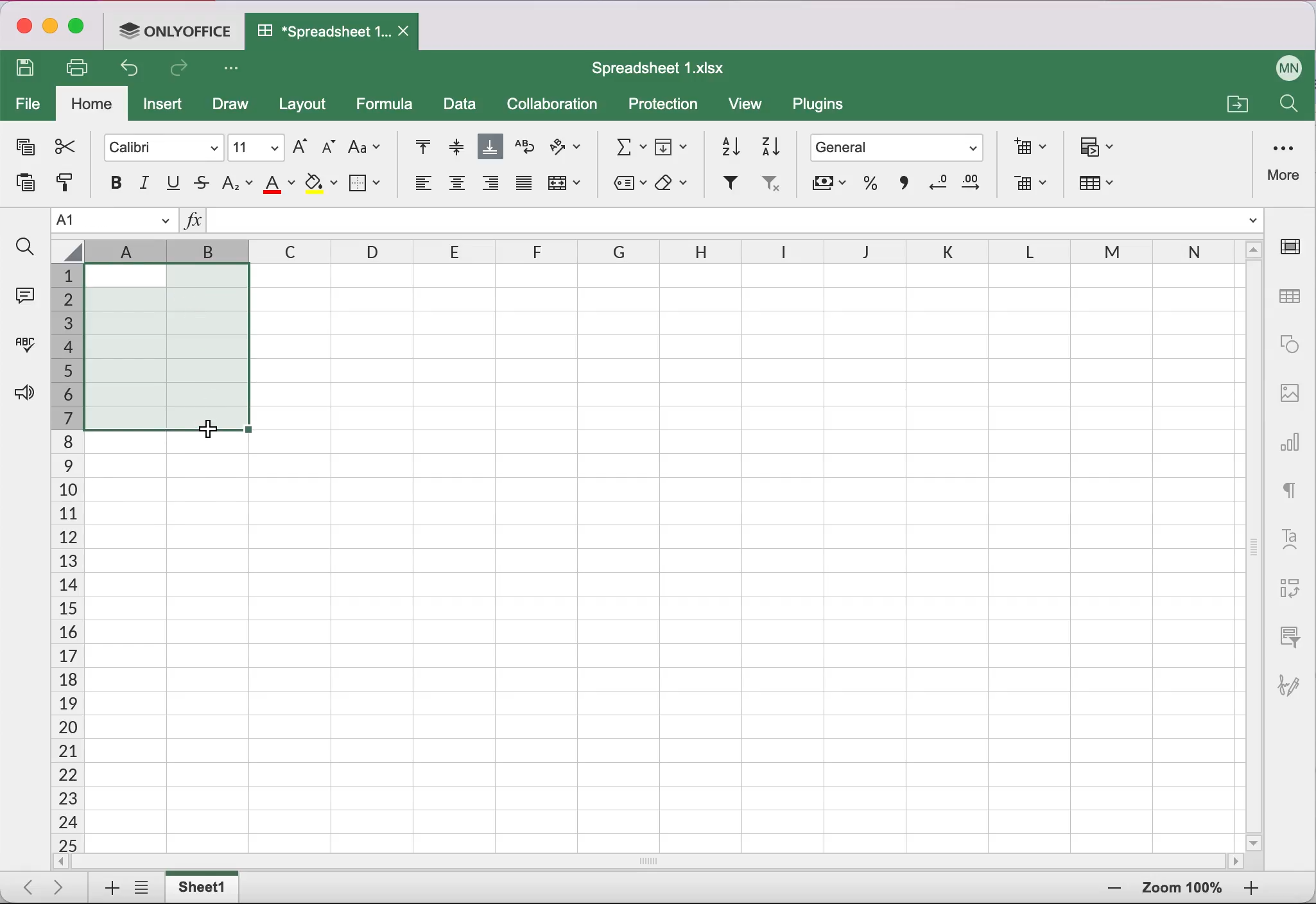 This screenshot has width=1316, height=904. I want to click on ONLYOFFICE, so click(178, 30).